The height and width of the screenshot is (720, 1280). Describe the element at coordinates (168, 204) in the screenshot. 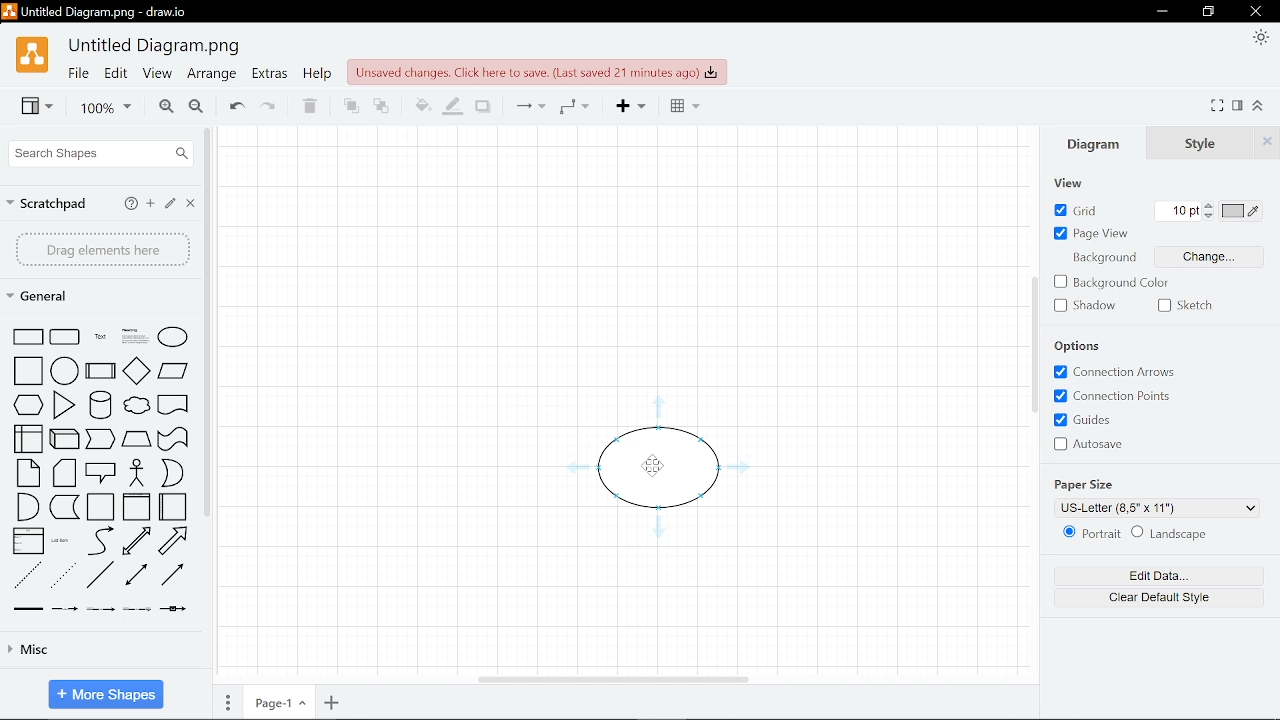

I see `Edit` at that location.